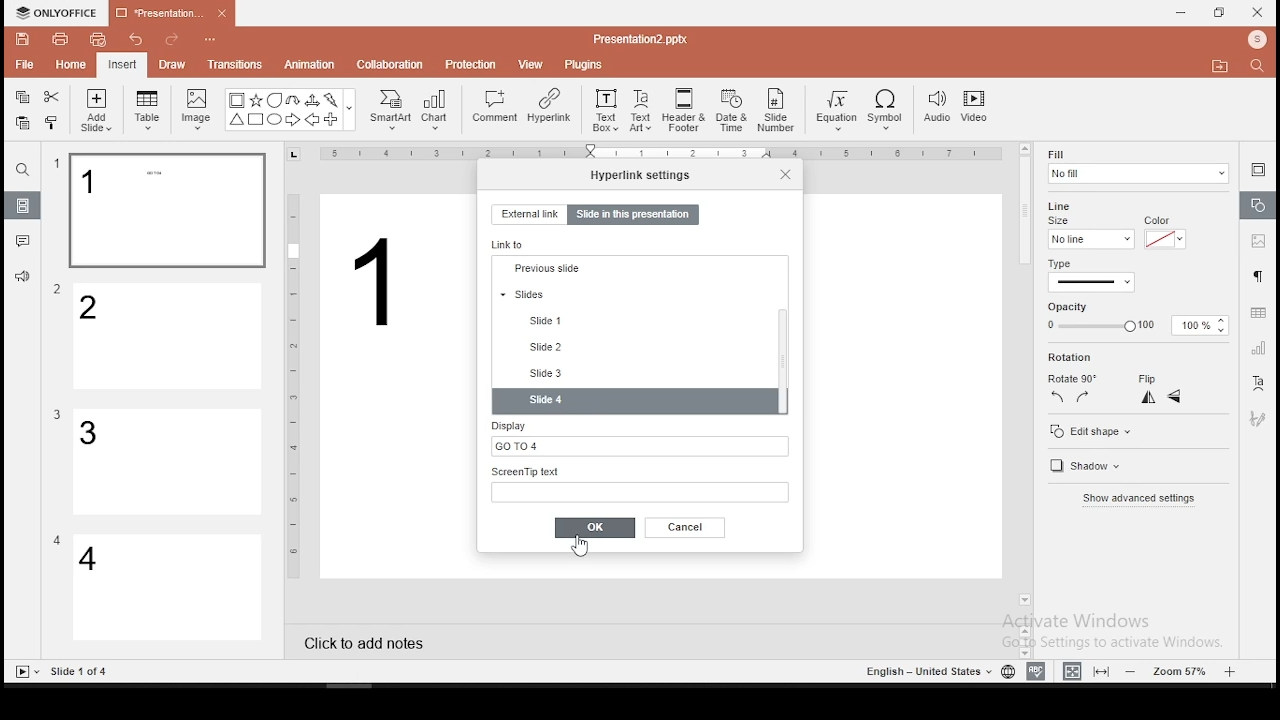 Image resolution: width=1280 pixels, height=720 pixels. What do you see at coordinates (392, 63) in the screenshot?
I see `collaboration` at bounding box center [392, 63].